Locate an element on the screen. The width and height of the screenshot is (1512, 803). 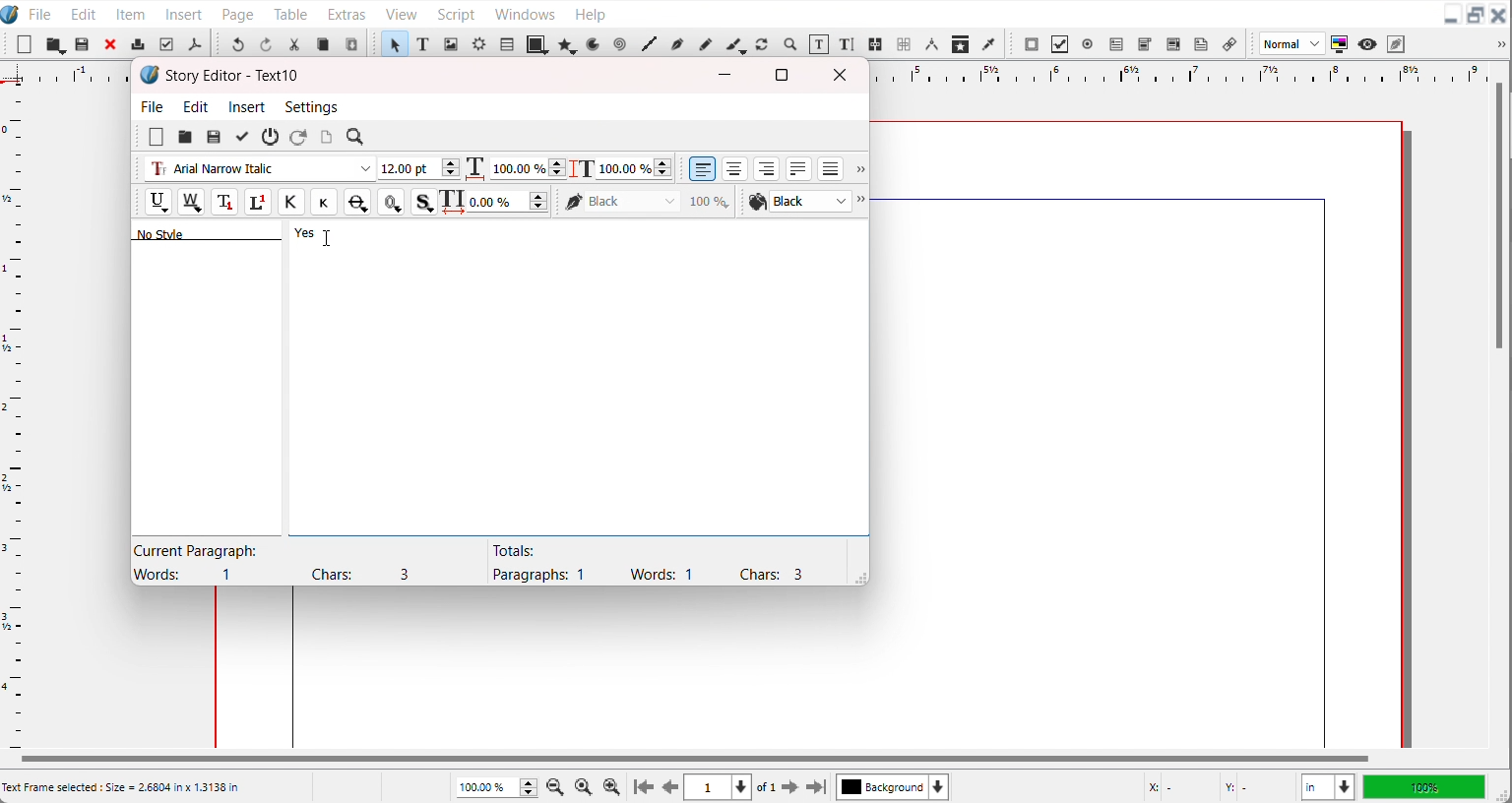
Text Color is located at coordinates (798, 202).